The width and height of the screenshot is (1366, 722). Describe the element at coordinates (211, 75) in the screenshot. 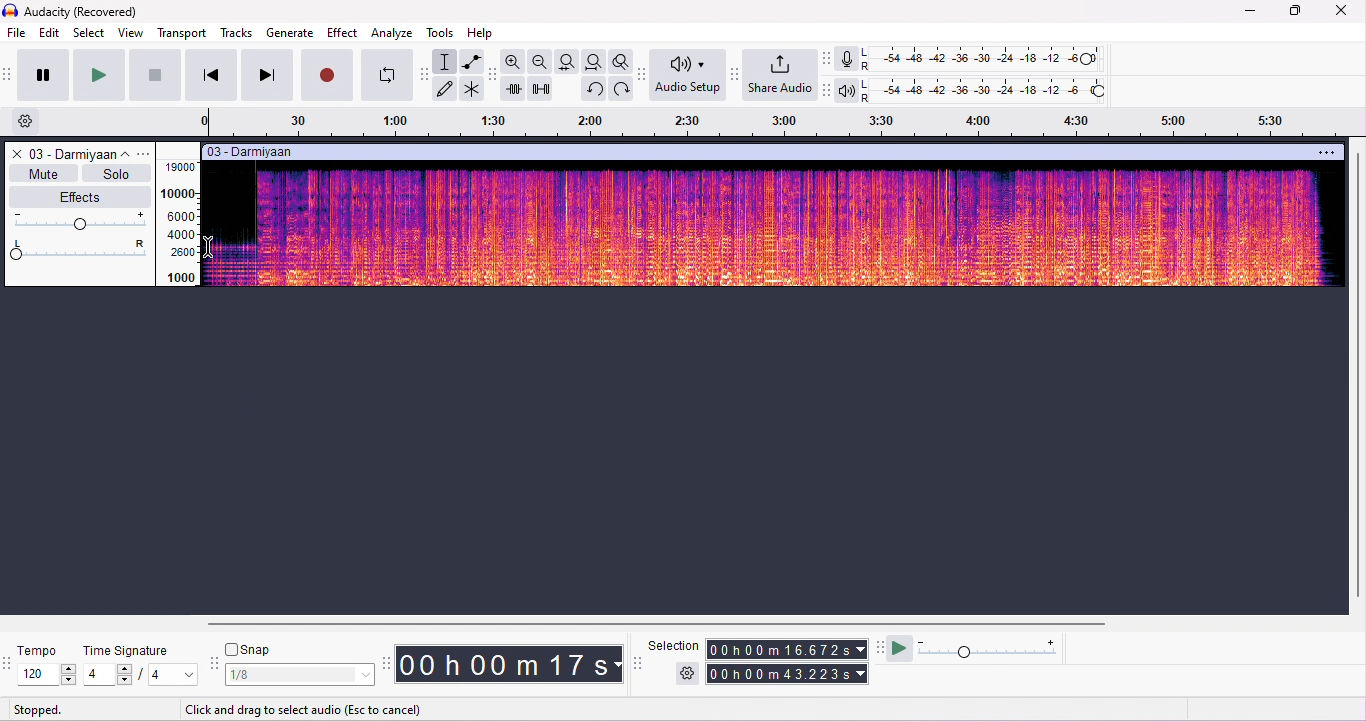

I see `previous` at that location.